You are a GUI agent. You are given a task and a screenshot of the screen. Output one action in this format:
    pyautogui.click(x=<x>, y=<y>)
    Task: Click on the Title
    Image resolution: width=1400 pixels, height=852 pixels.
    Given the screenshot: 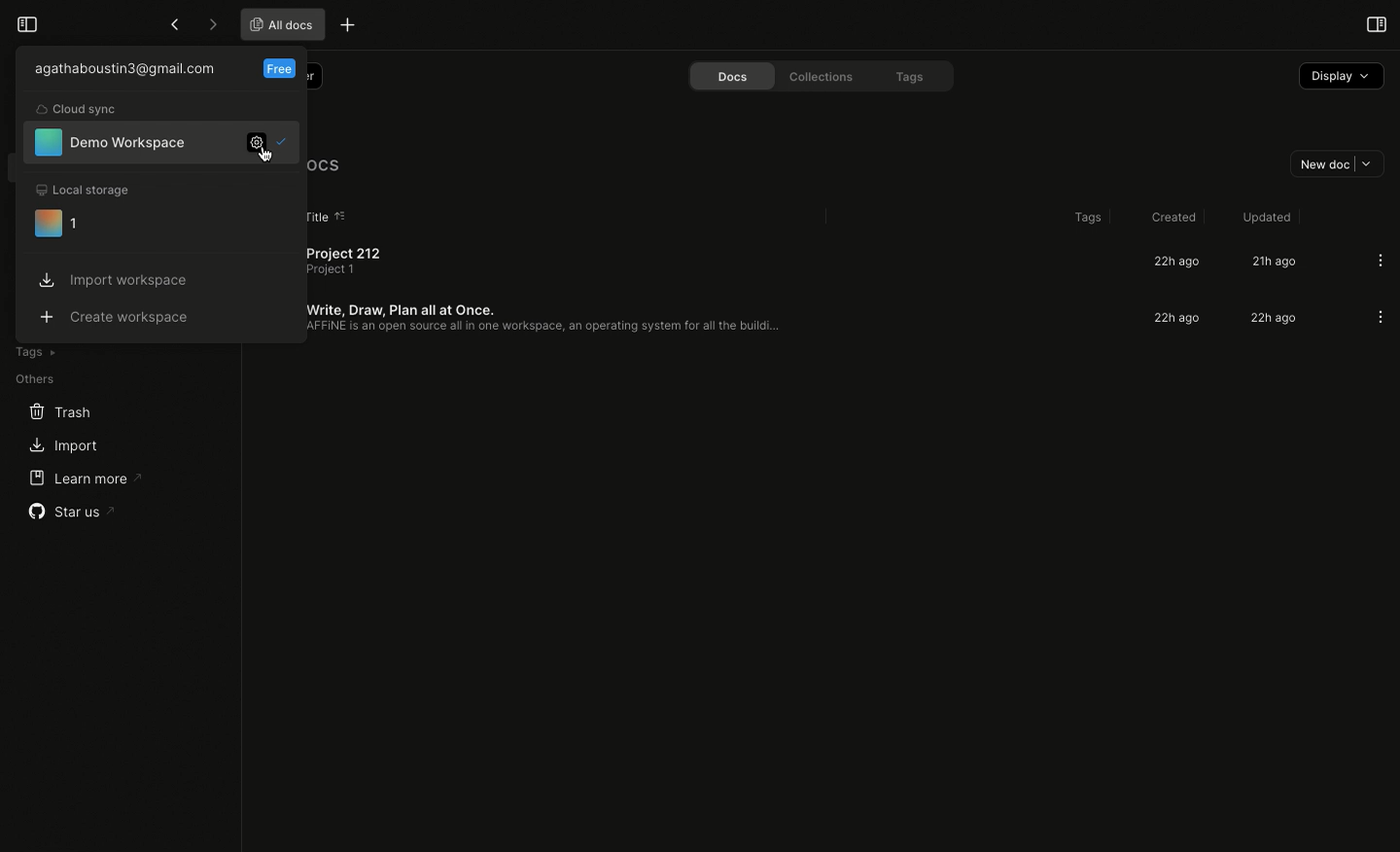 What is the action you would take?
    pyautogui.click(x=315, y=216)
    